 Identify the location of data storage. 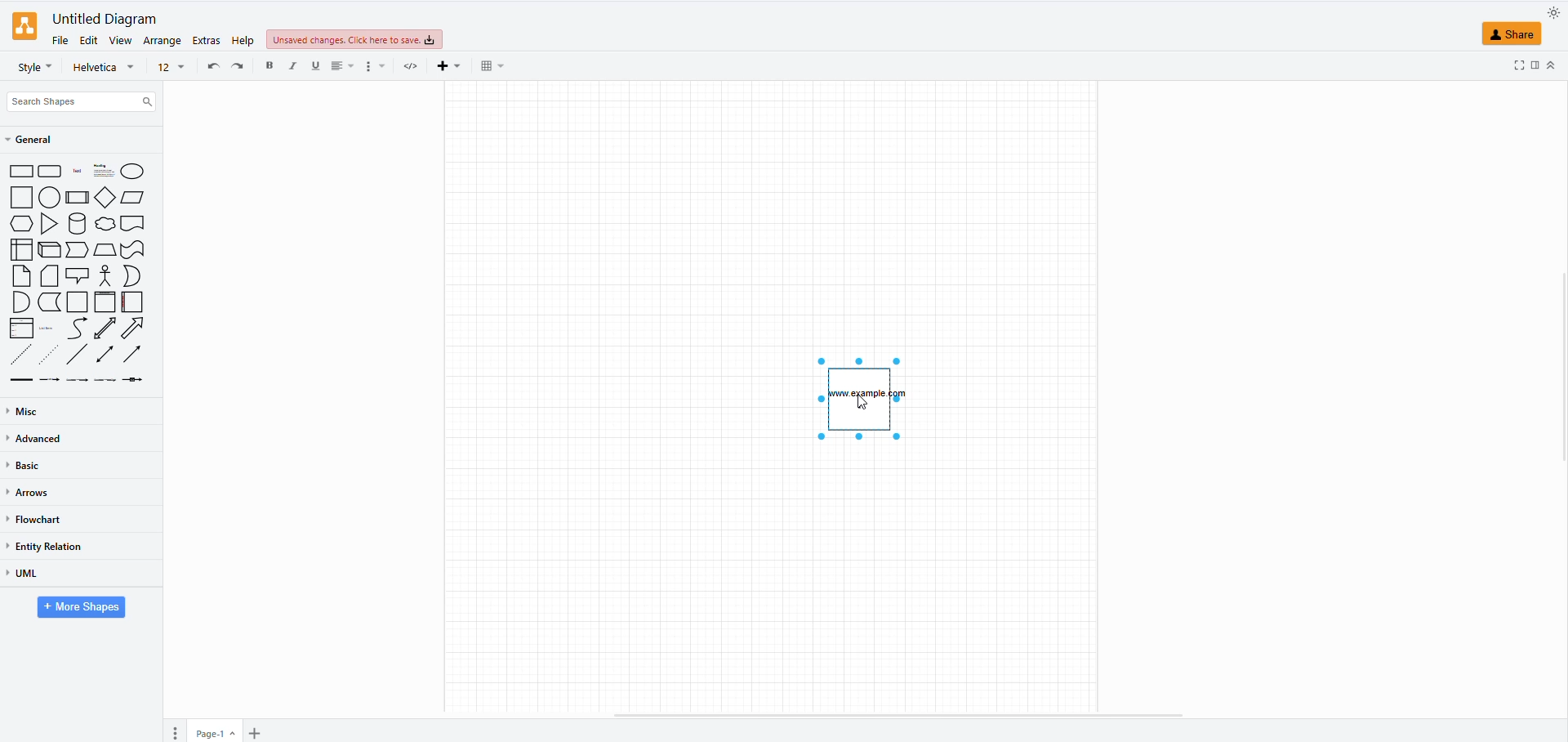
(51, 302).